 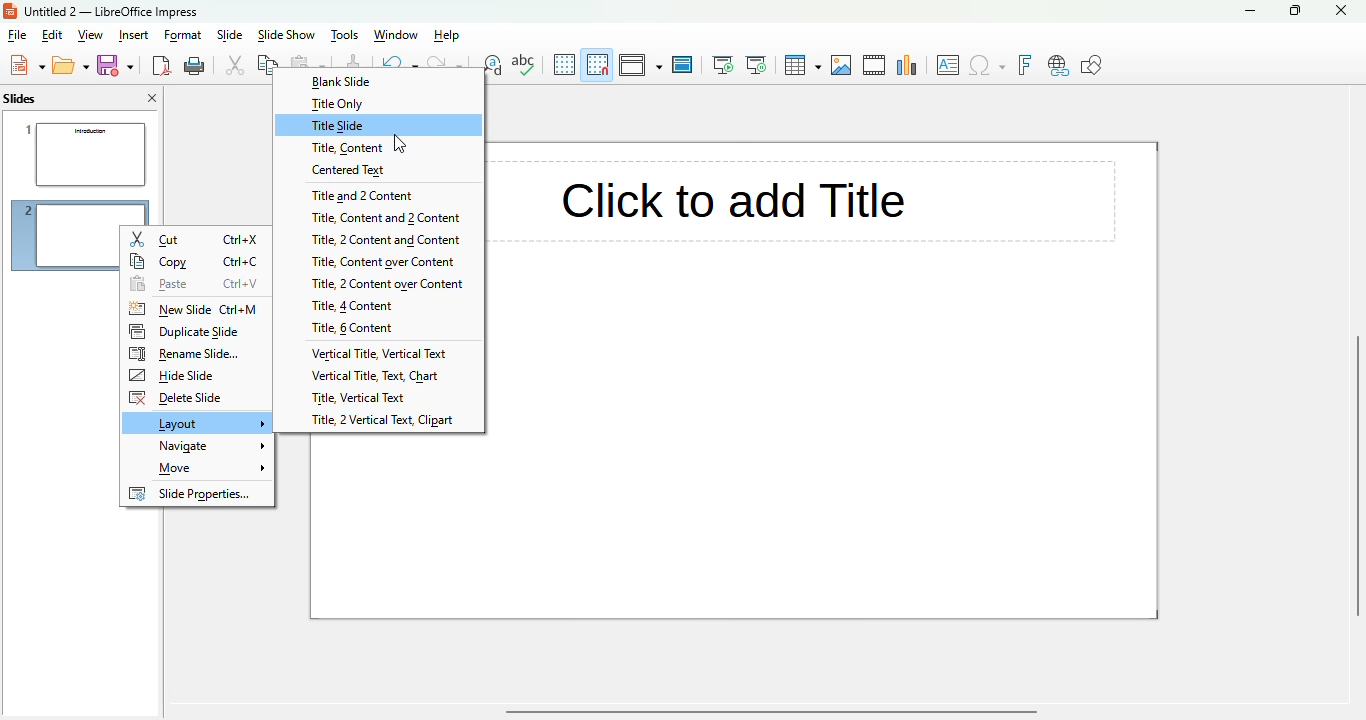 I want to click on insert, so click(x=133, y=36).